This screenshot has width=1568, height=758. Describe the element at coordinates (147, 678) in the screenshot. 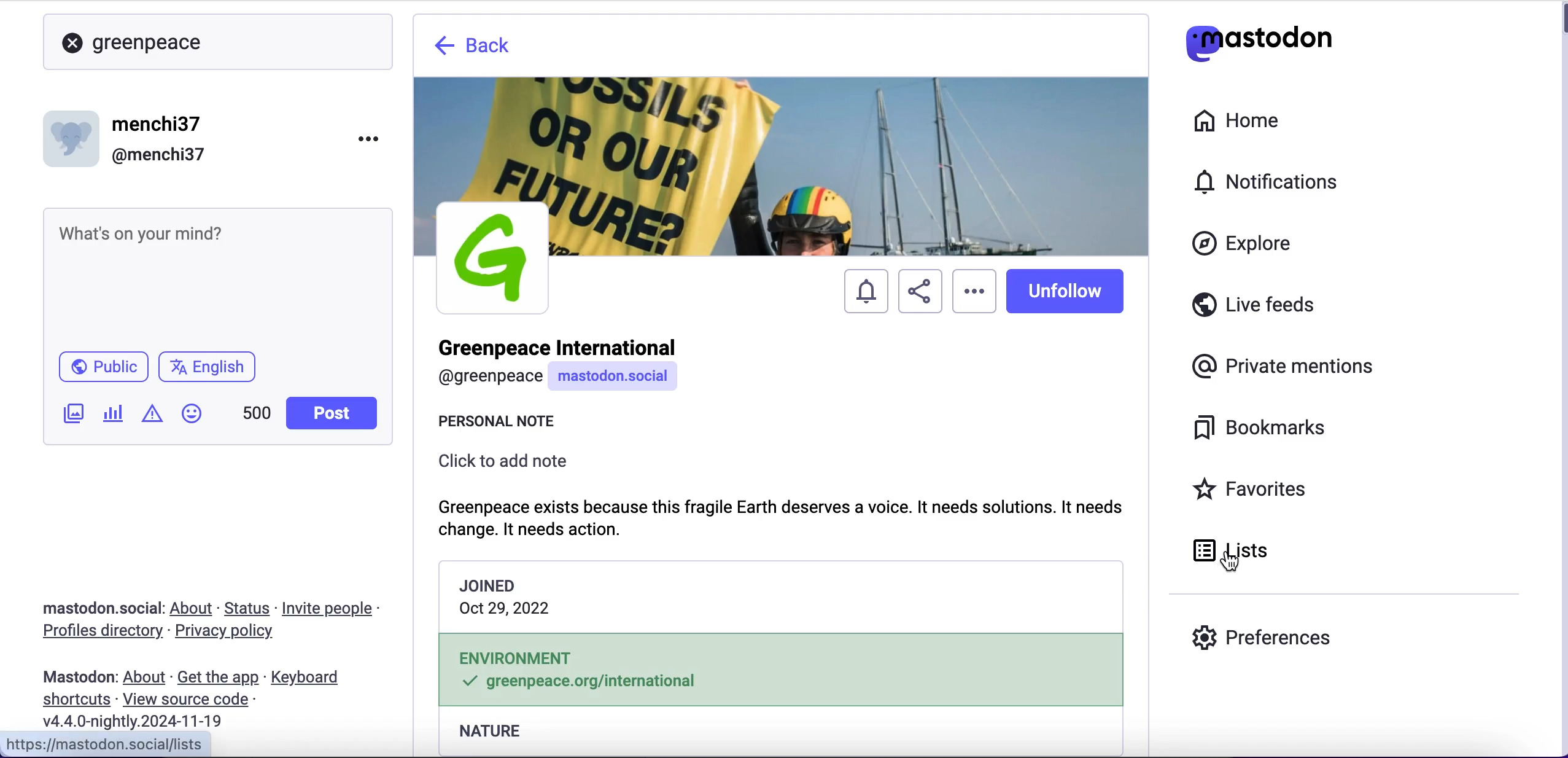

I see `about` at that location.